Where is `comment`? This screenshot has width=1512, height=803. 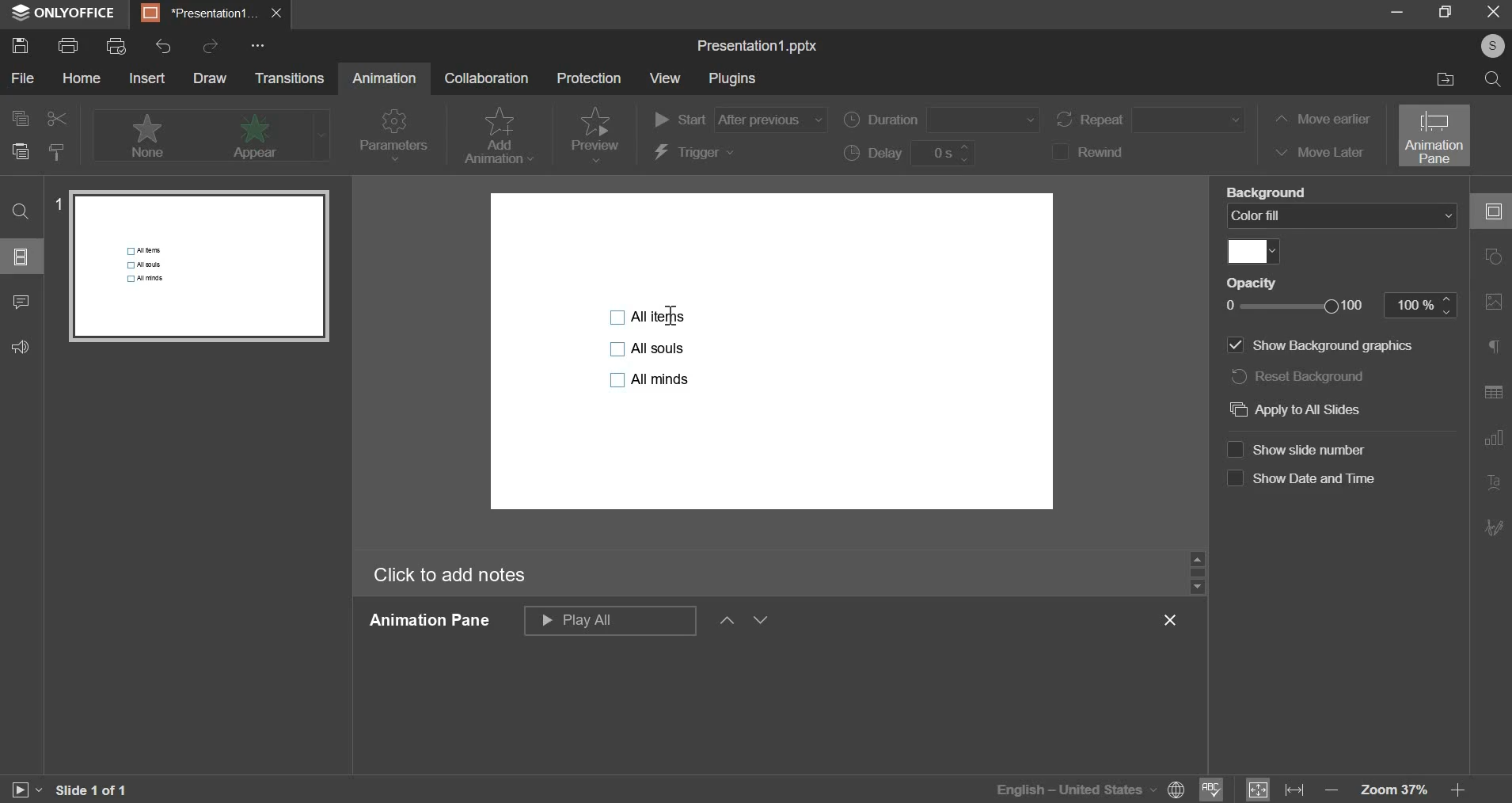
comment is located at coordinates (20, 304).